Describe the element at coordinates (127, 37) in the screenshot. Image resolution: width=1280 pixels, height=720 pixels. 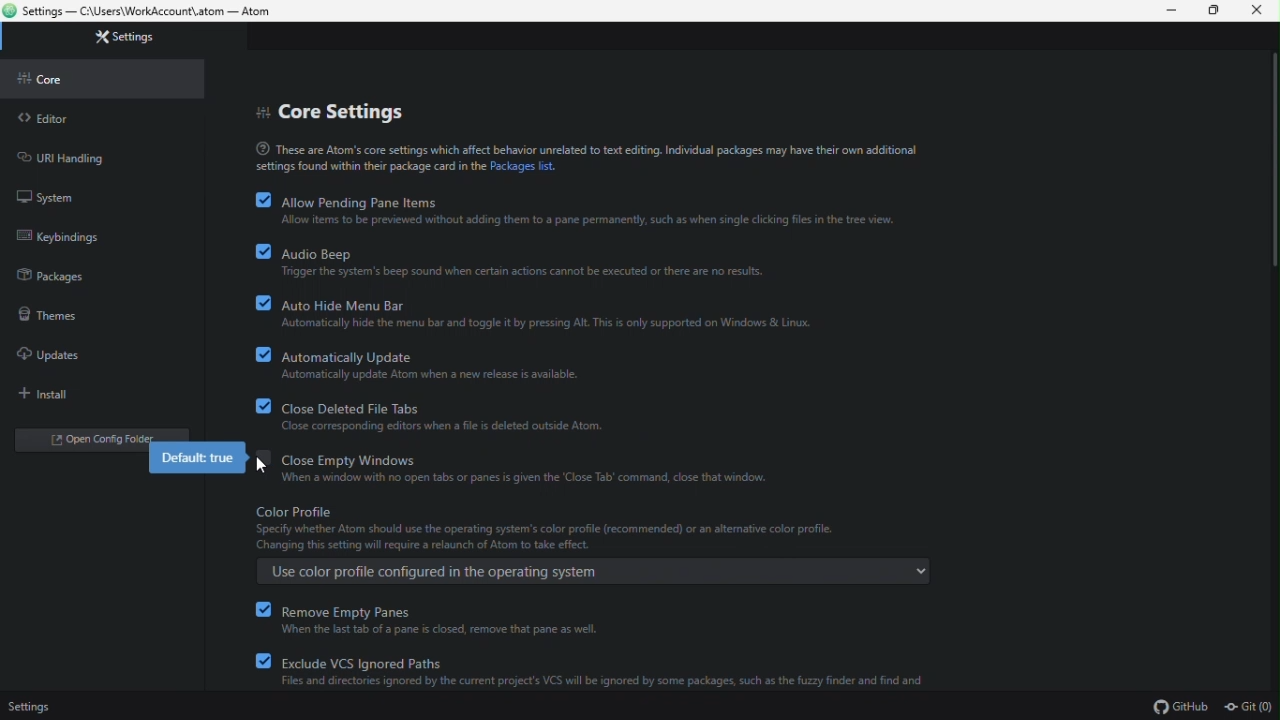
I see `settings` at that location.